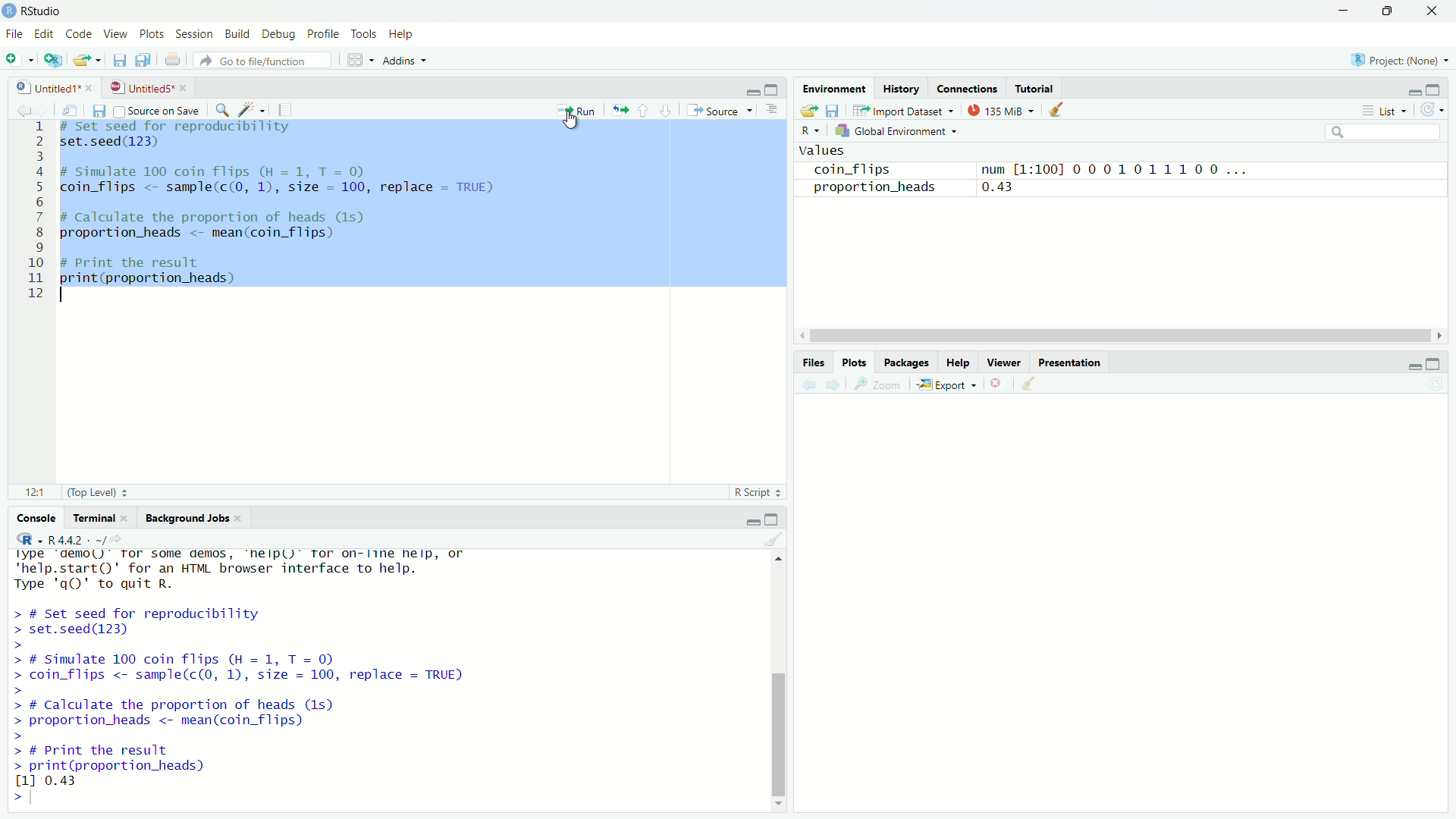 This screenshot has width=1456, height=819. Describe the element at coordinates (146, 61) in the screenshot. I see `save all open documents` at that location.